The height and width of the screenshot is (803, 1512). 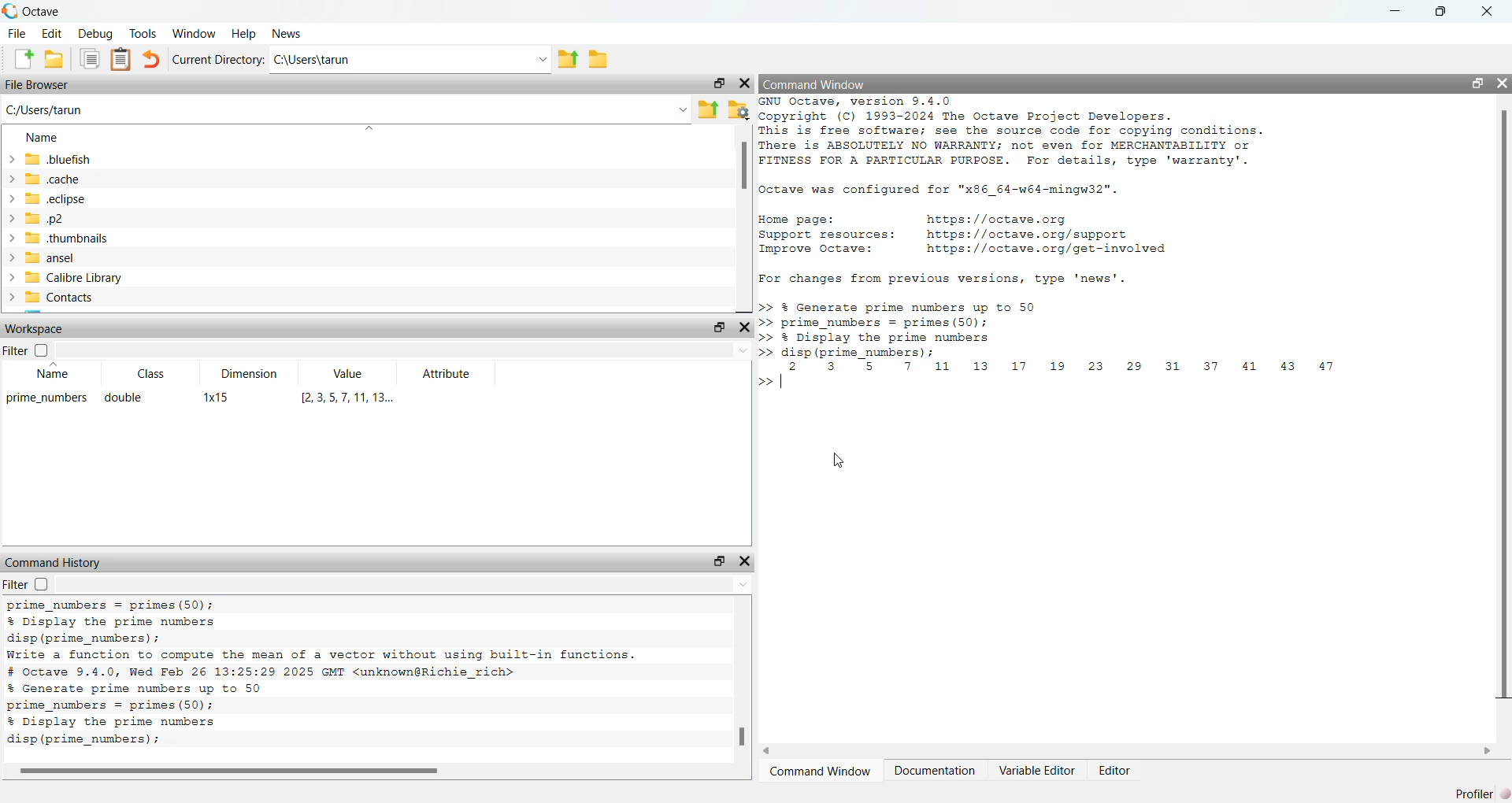 I want to click on GNU Octave, version 9.4.0

Copyright (C) 1993-2024 The Octave Project Developers.
This is free software; see the source code for copying conditions.
There is ABSOLUTELY NO WARRANTY; not even for MERCHANTABILITY or
FITNESS FOR A PARTICULAR PURPOSE. For details, type 'warranty'., so click(x=1011, y=132).